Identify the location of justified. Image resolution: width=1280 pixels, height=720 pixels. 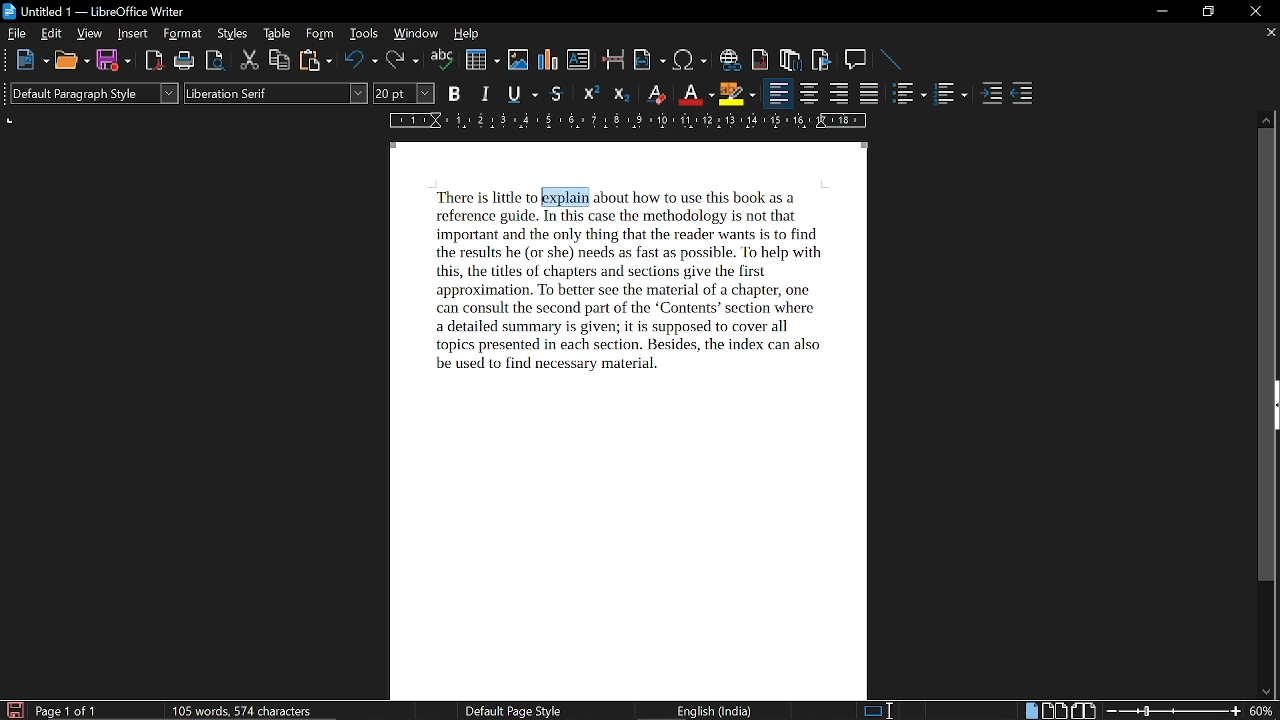
(871, 95).